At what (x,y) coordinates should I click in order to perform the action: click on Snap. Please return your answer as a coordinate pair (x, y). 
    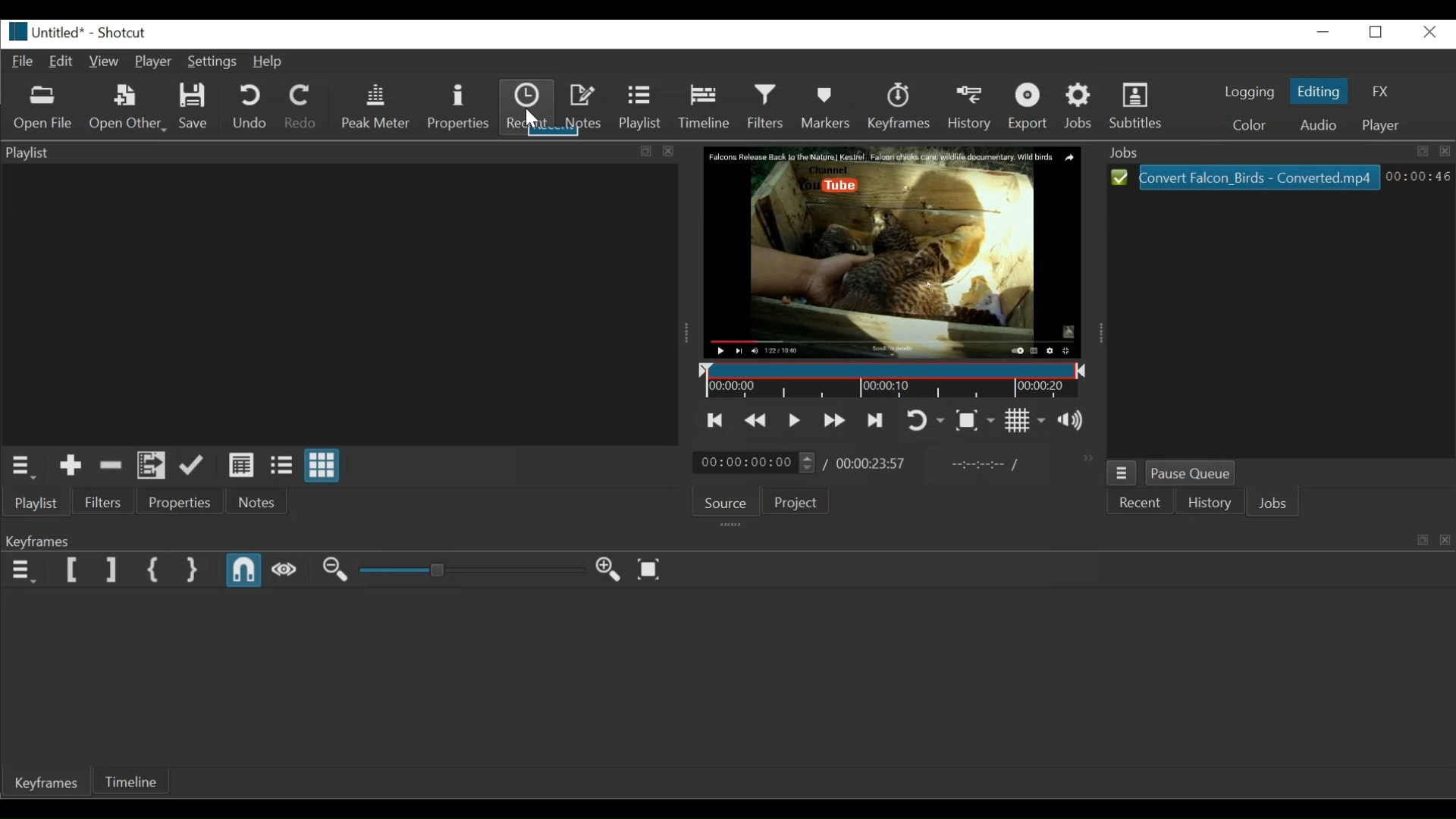
    Looking at the image, I should click on (243, 569).